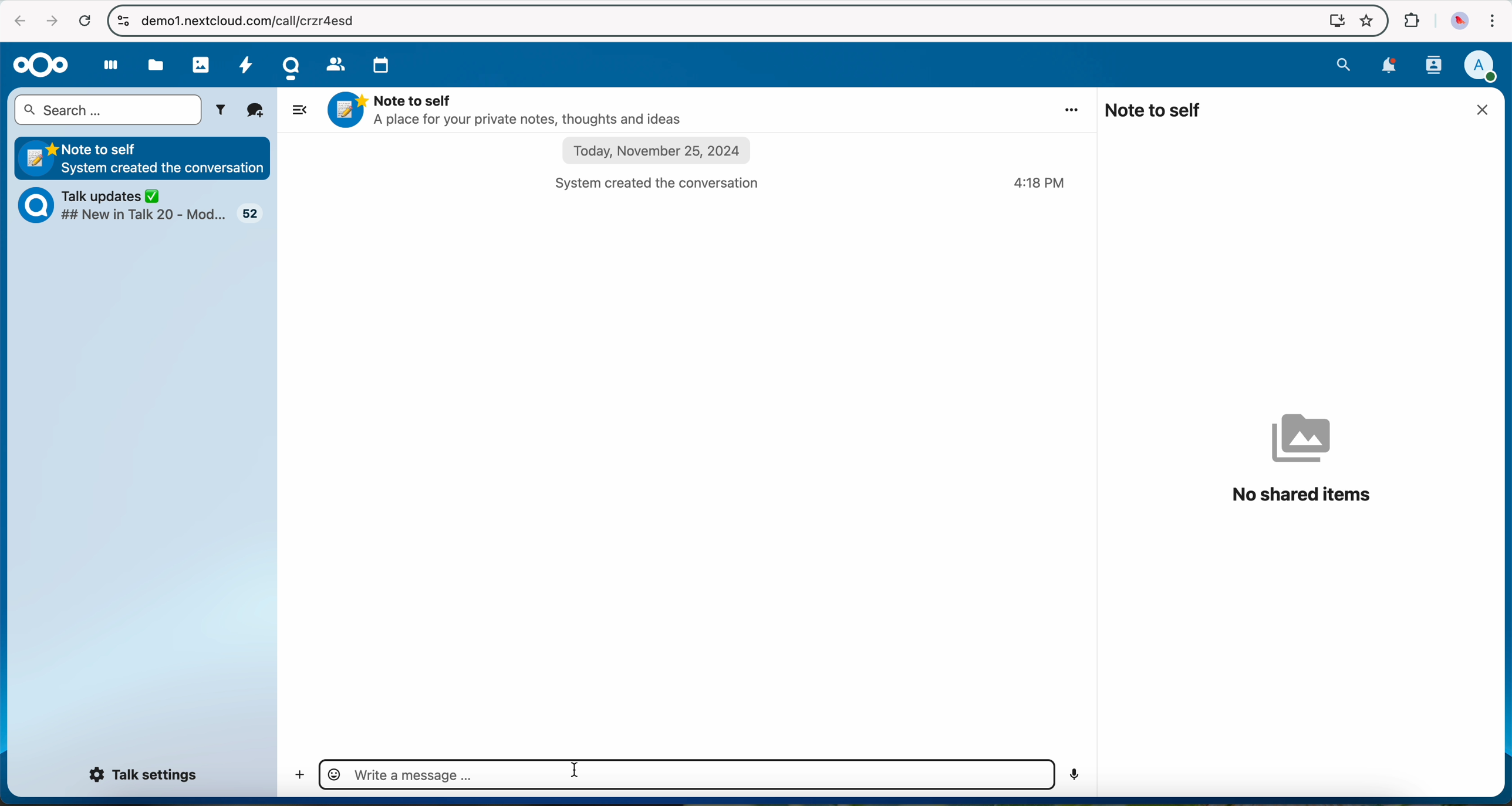 The image size is (1512, 806). Describe the element at coordinates (121, 19) in the screenshot. I see `controls` at that location.